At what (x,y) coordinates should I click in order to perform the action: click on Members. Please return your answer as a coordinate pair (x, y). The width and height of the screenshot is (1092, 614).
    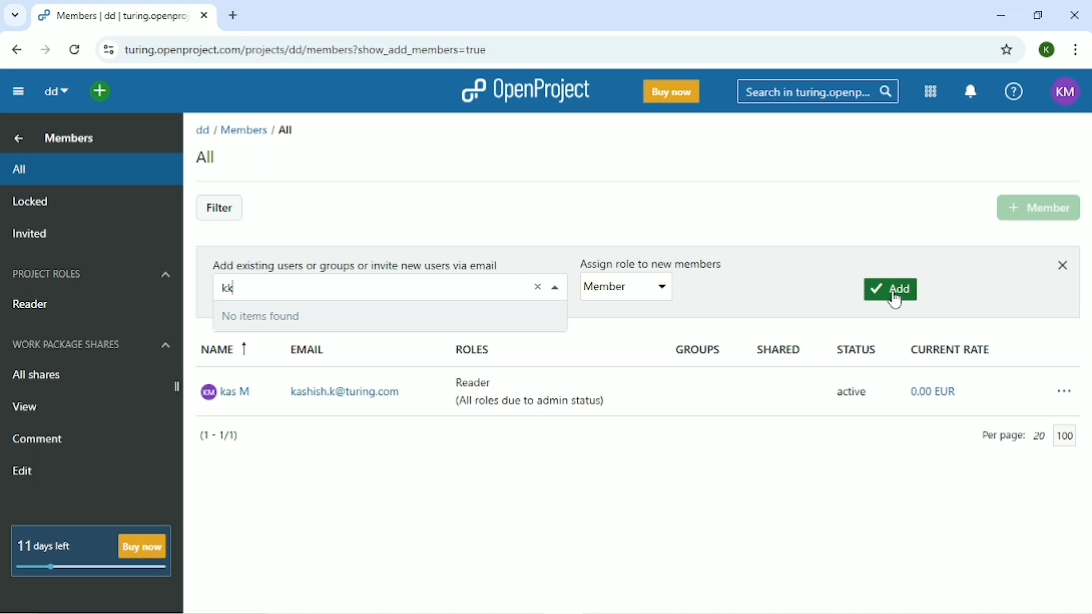
    Looking at the image, I should click on (71, 138).